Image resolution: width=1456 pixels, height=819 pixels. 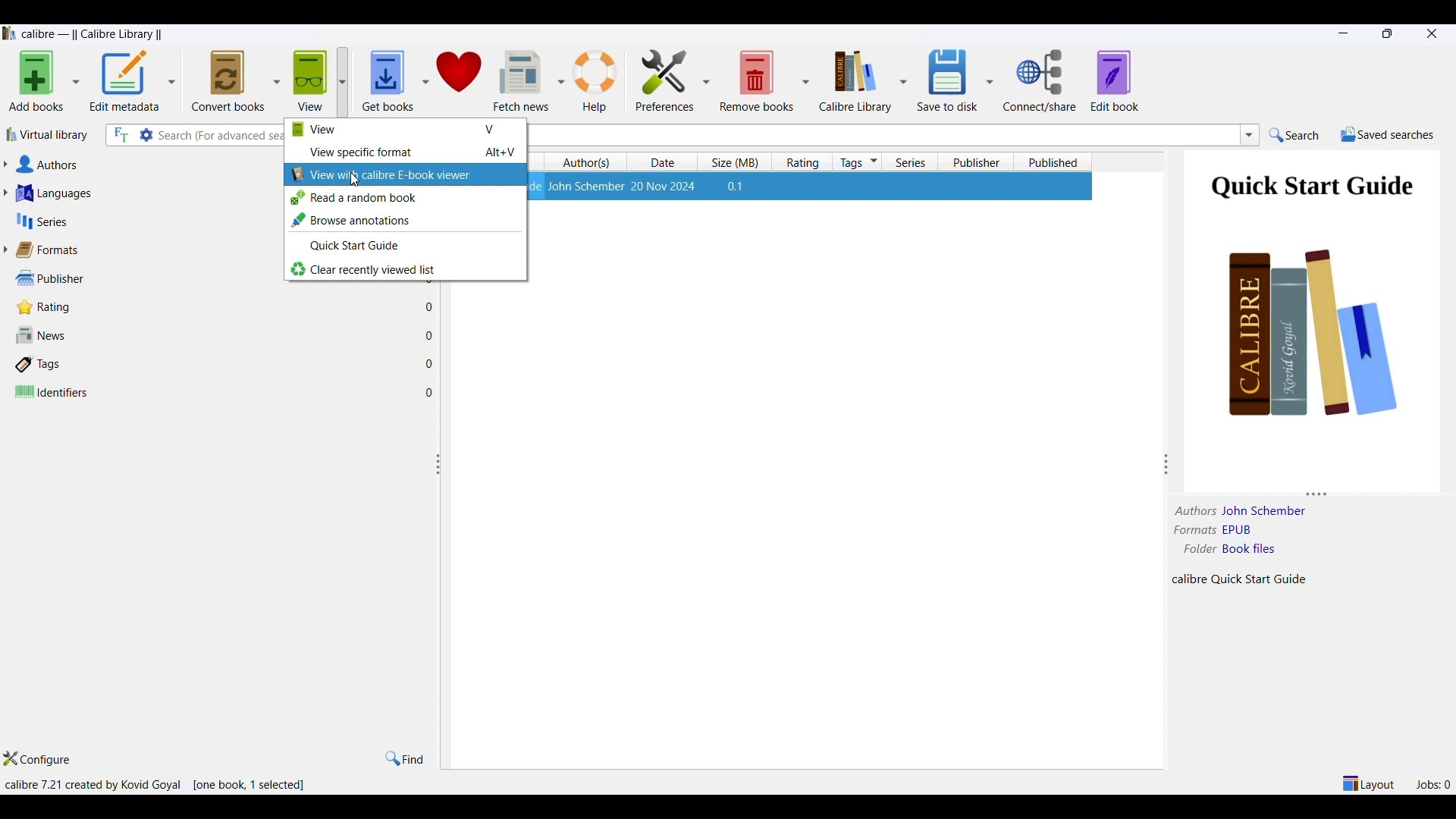 What do you see at coordinates (138, 278) in the screenshot?
I see `publisher` at bounding box center [138, 278].